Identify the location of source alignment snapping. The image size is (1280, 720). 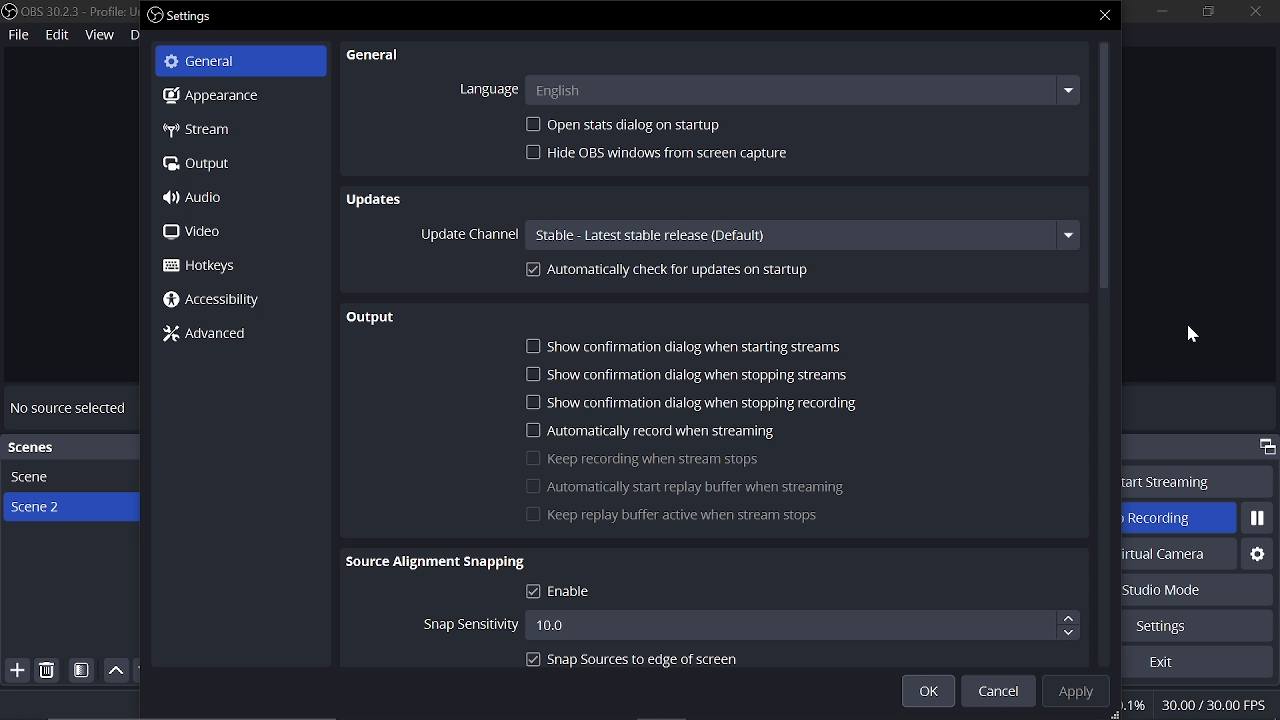
(434, 563).